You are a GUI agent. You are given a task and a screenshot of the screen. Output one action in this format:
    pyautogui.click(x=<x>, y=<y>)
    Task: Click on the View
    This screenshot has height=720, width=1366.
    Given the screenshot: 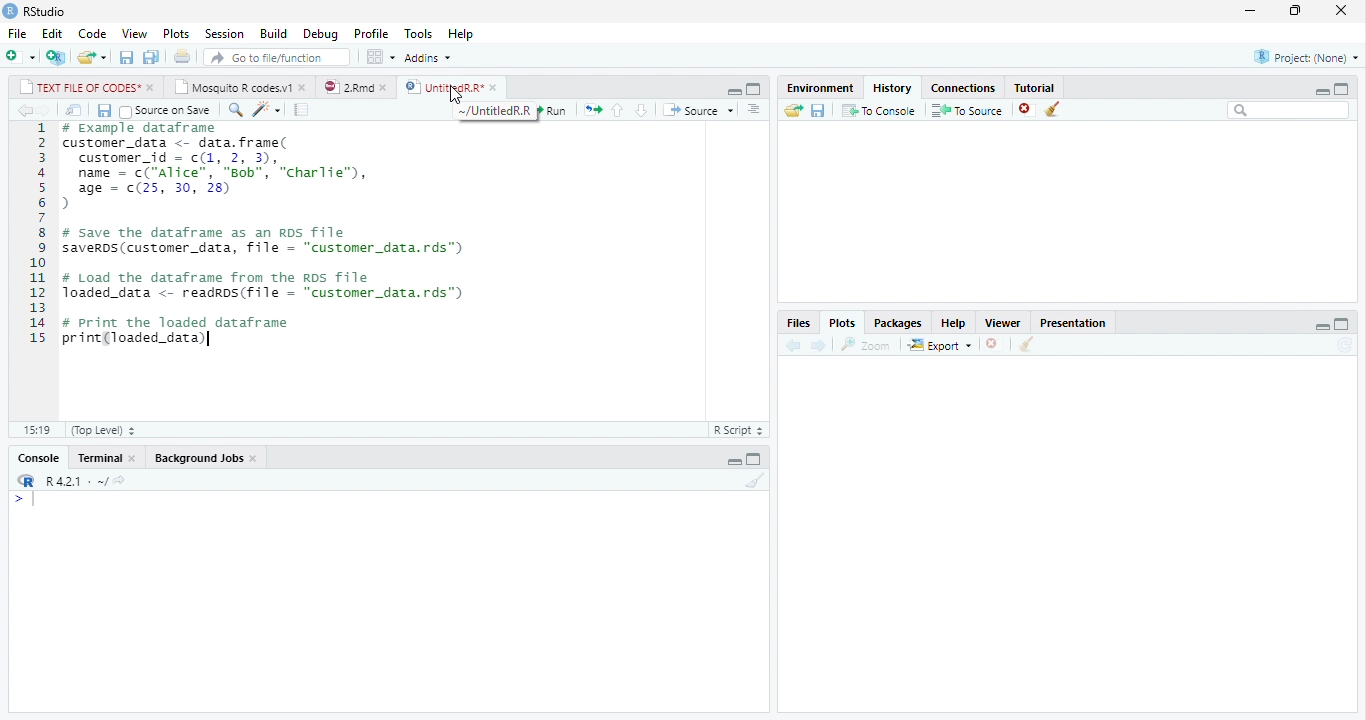 What is the action you would take?
    pyautogui.click(x=135, y=33)
    